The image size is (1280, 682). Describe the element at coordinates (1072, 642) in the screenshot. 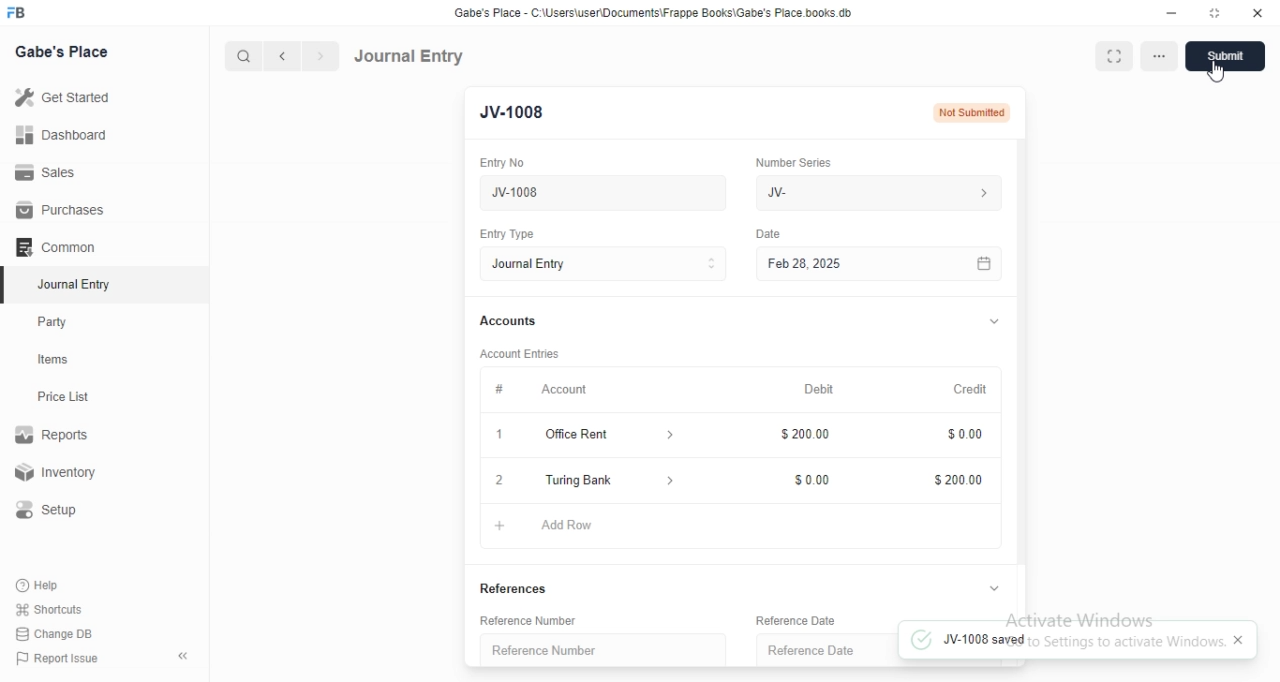

I see `JV-1008 saved` at that location.